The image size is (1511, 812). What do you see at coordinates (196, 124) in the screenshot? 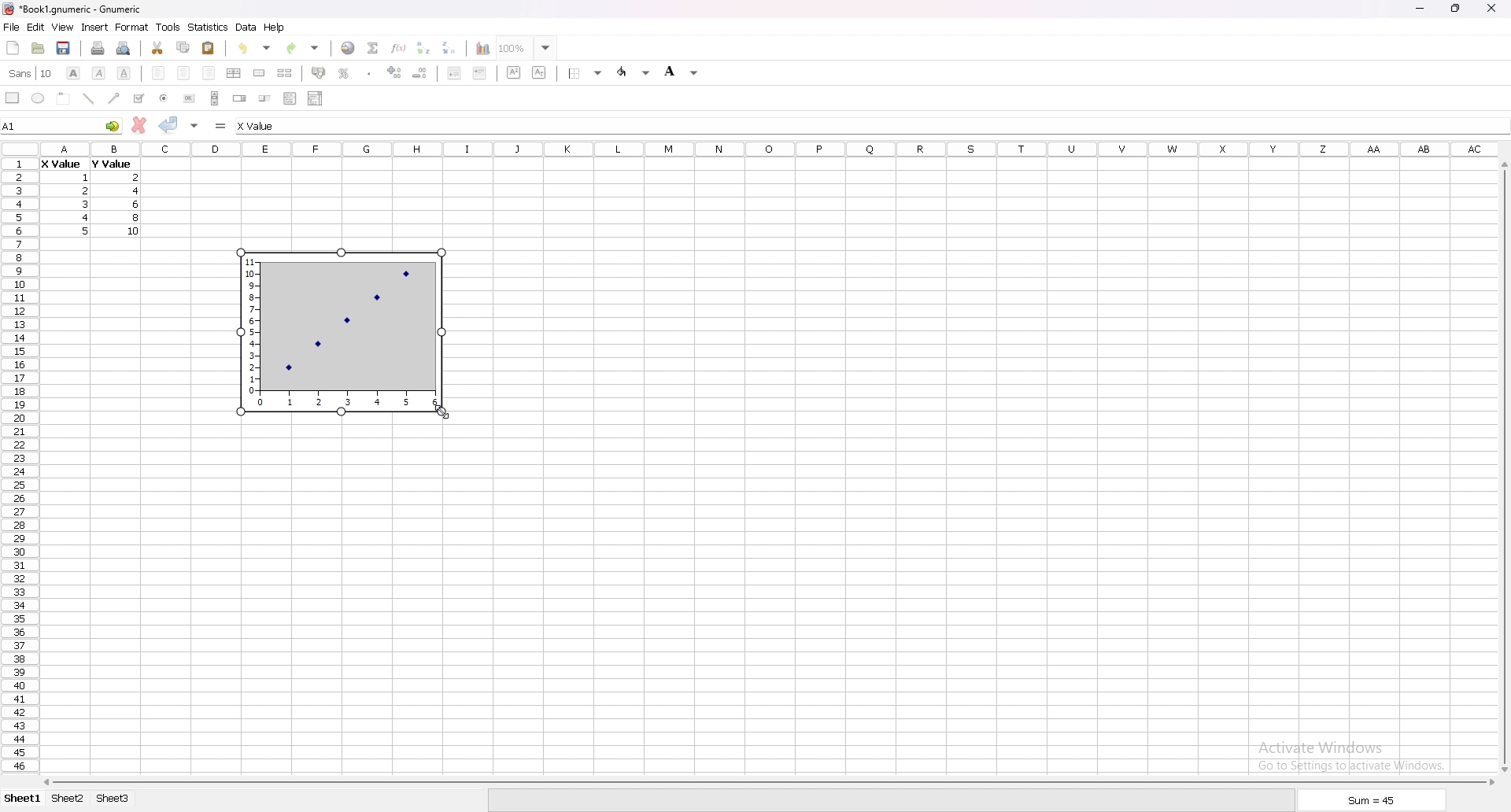
I see `accept change in multple cell` at bounding box center [196, 124].